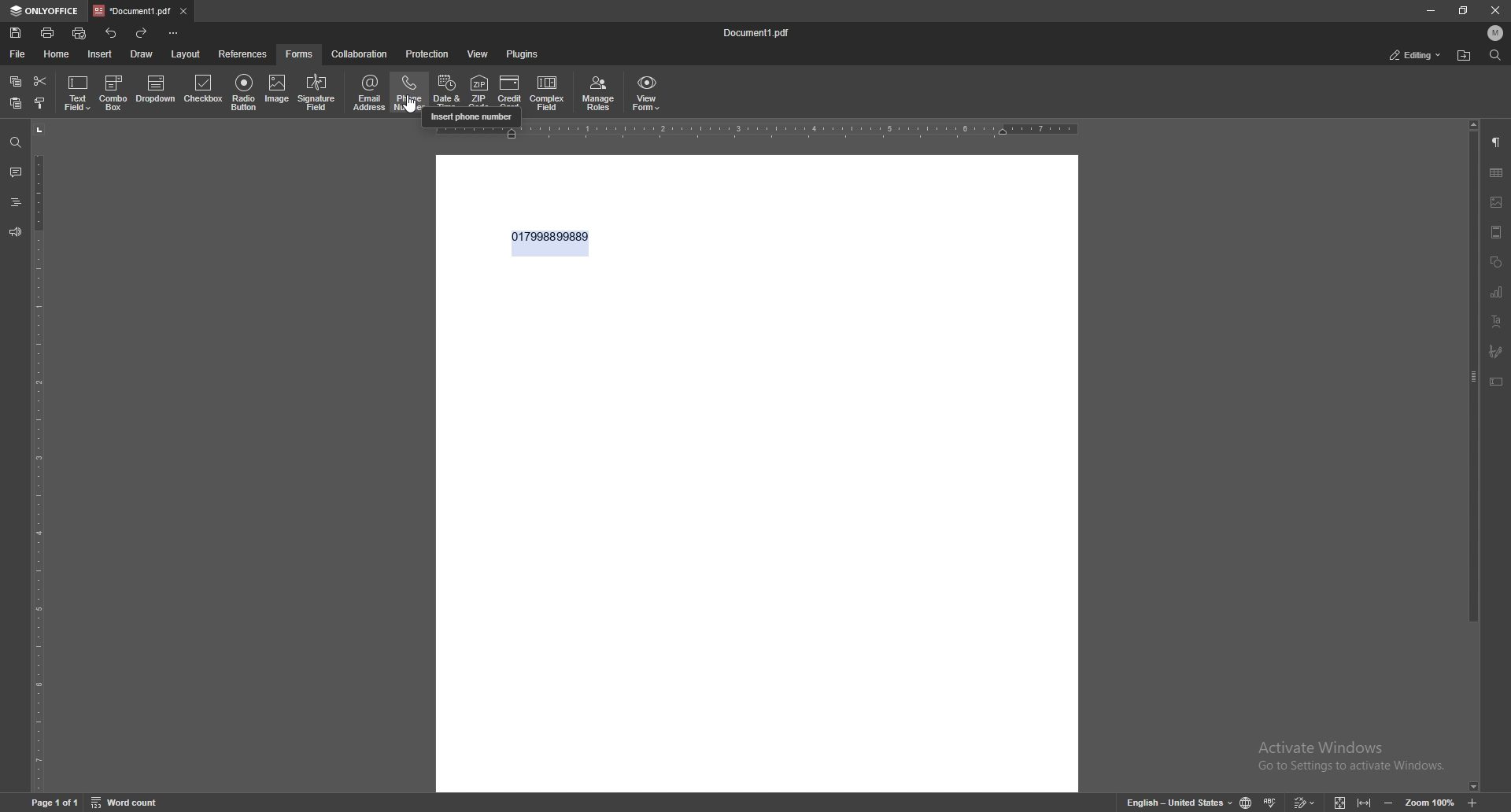  What do you see at coordinates (1431, 10) in the screenshot?
I see `minimize` at bounding box center [1431, 10].